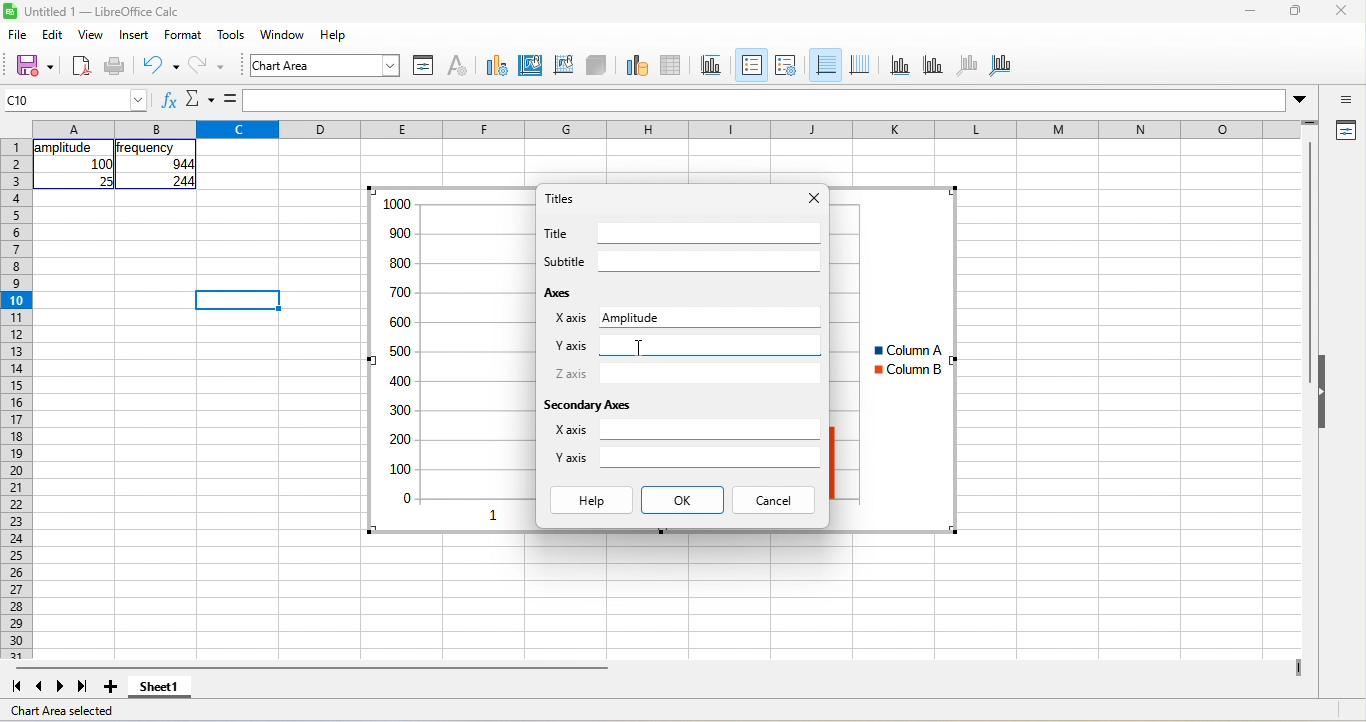 The image size is (1366, 722). What do you see at coordinates (640, 348) in the screenshot?
I see `Cursor` at bounding box center [640, 348].